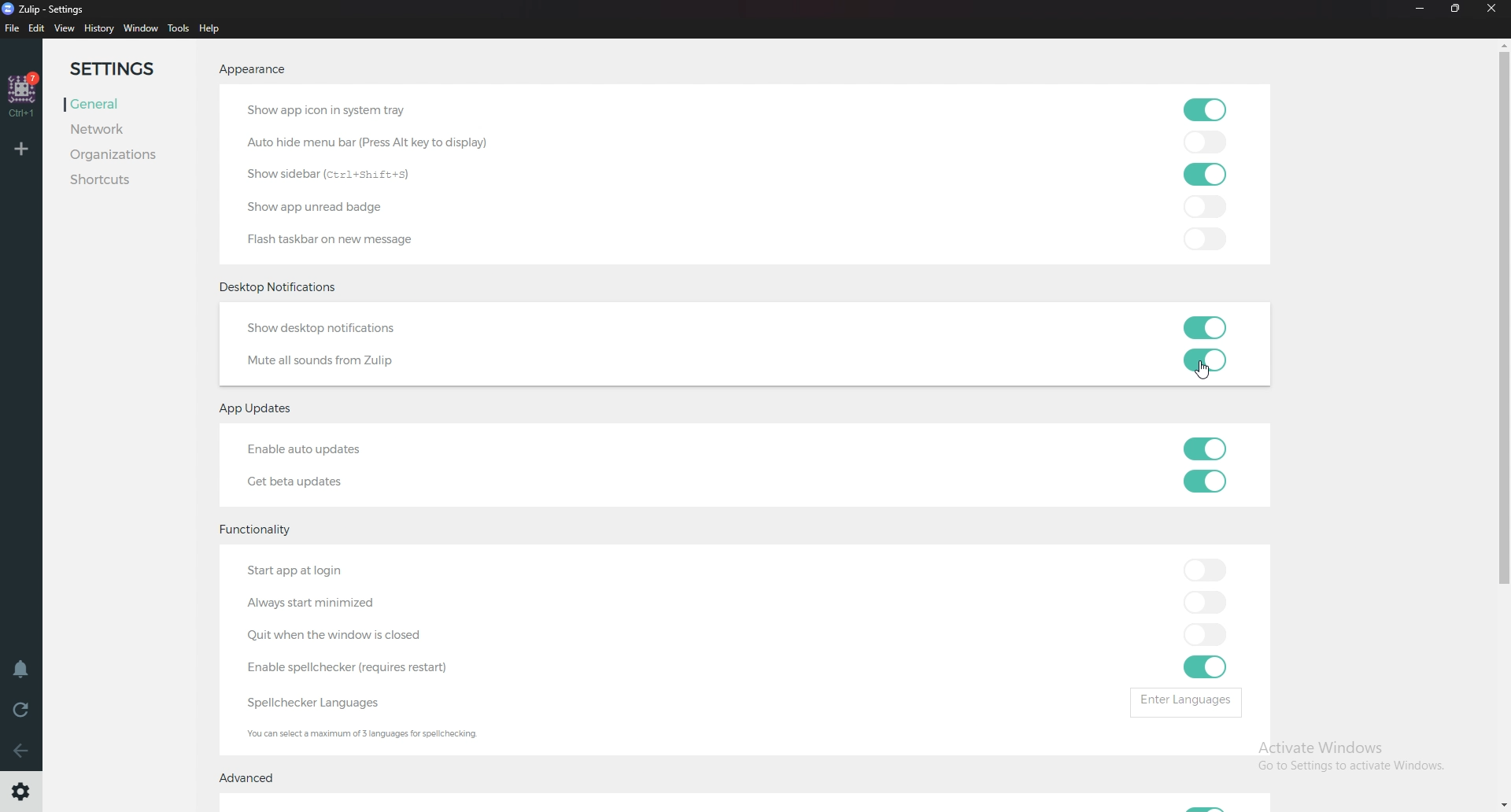 This screenshot has width=1511, height=812. Describe the element at coordinates (1206, 448) in the screenshot. I see `toggle` at that location.